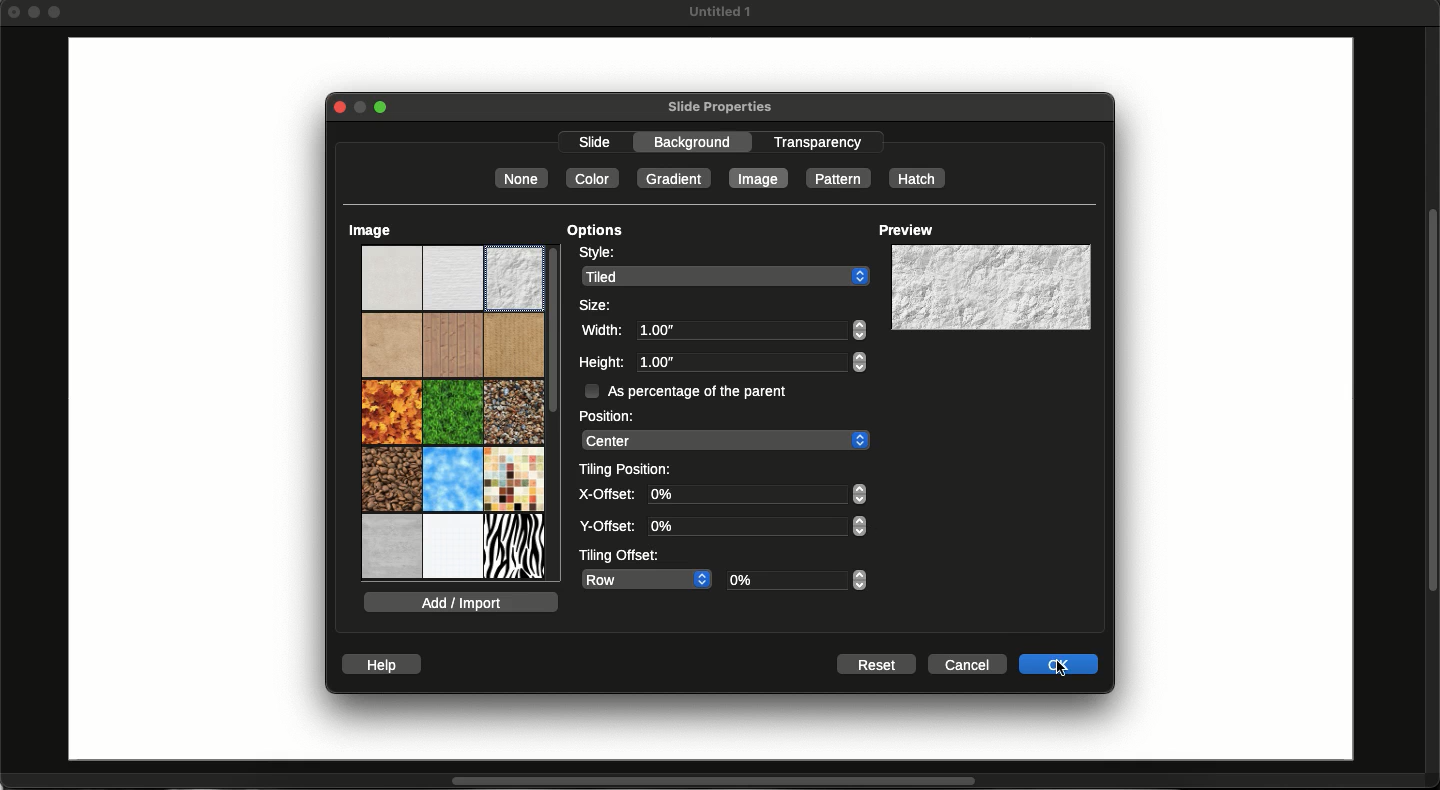 The width and height of the screenshot is (1440, 790). Describe the element at coordinates (601, 362) in the screenshot. I see `Height:` at that location.